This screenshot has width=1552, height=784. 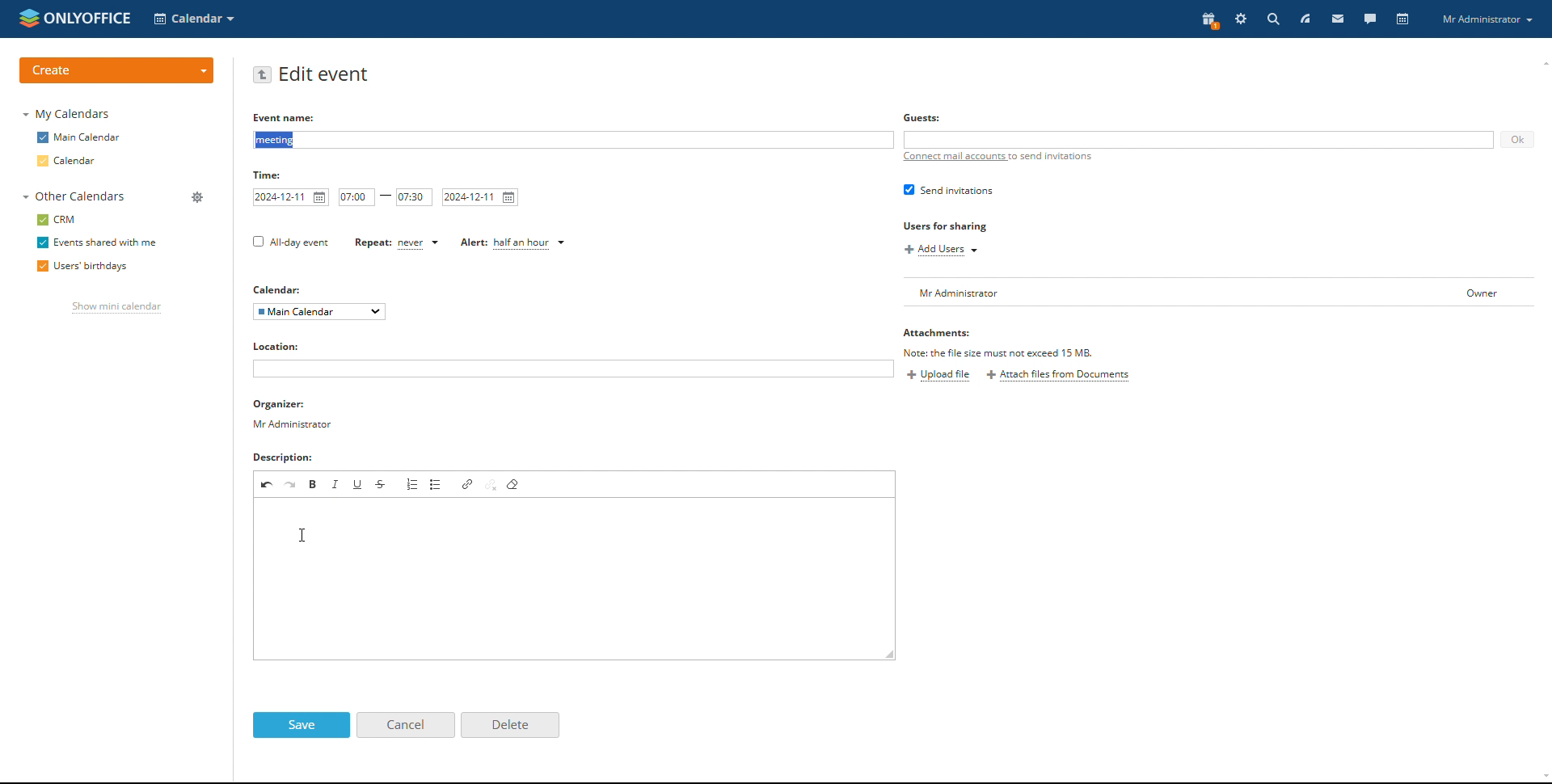 I want to click on Calendar:, so click(x=277, y=289).